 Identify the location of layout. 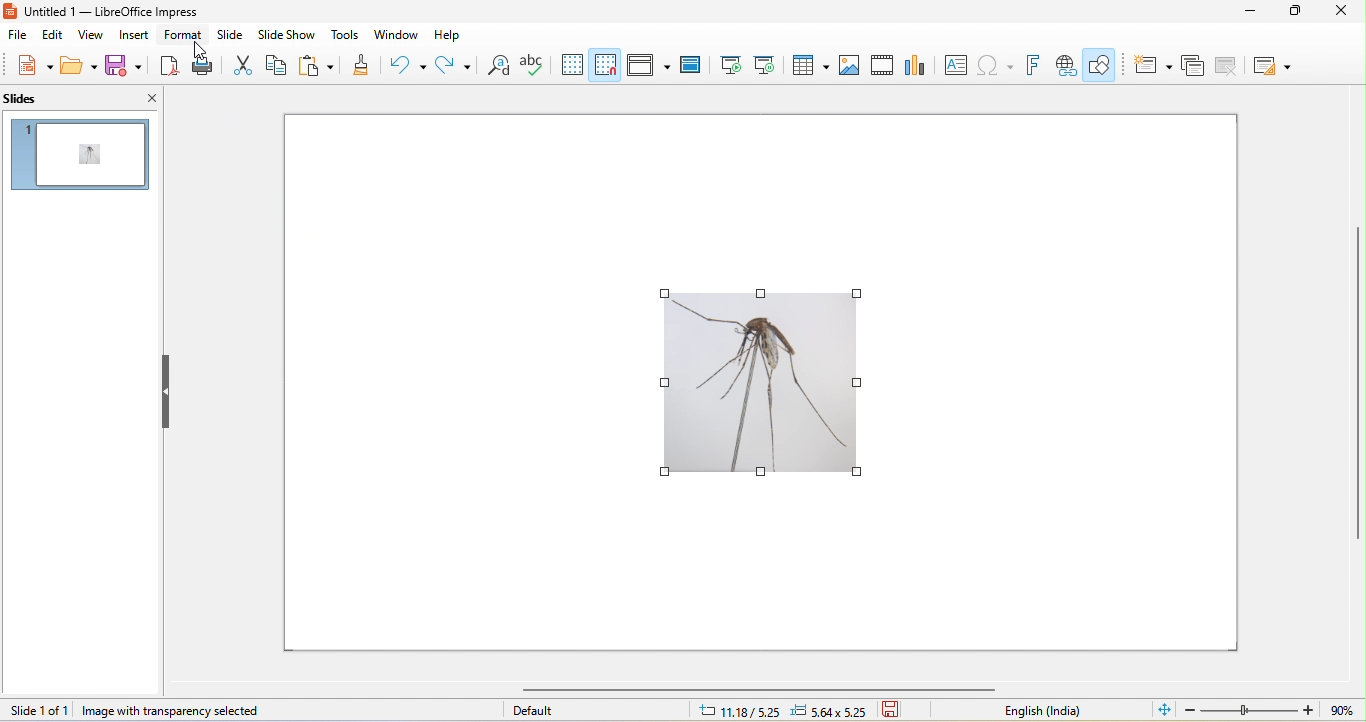
(1270, 67).